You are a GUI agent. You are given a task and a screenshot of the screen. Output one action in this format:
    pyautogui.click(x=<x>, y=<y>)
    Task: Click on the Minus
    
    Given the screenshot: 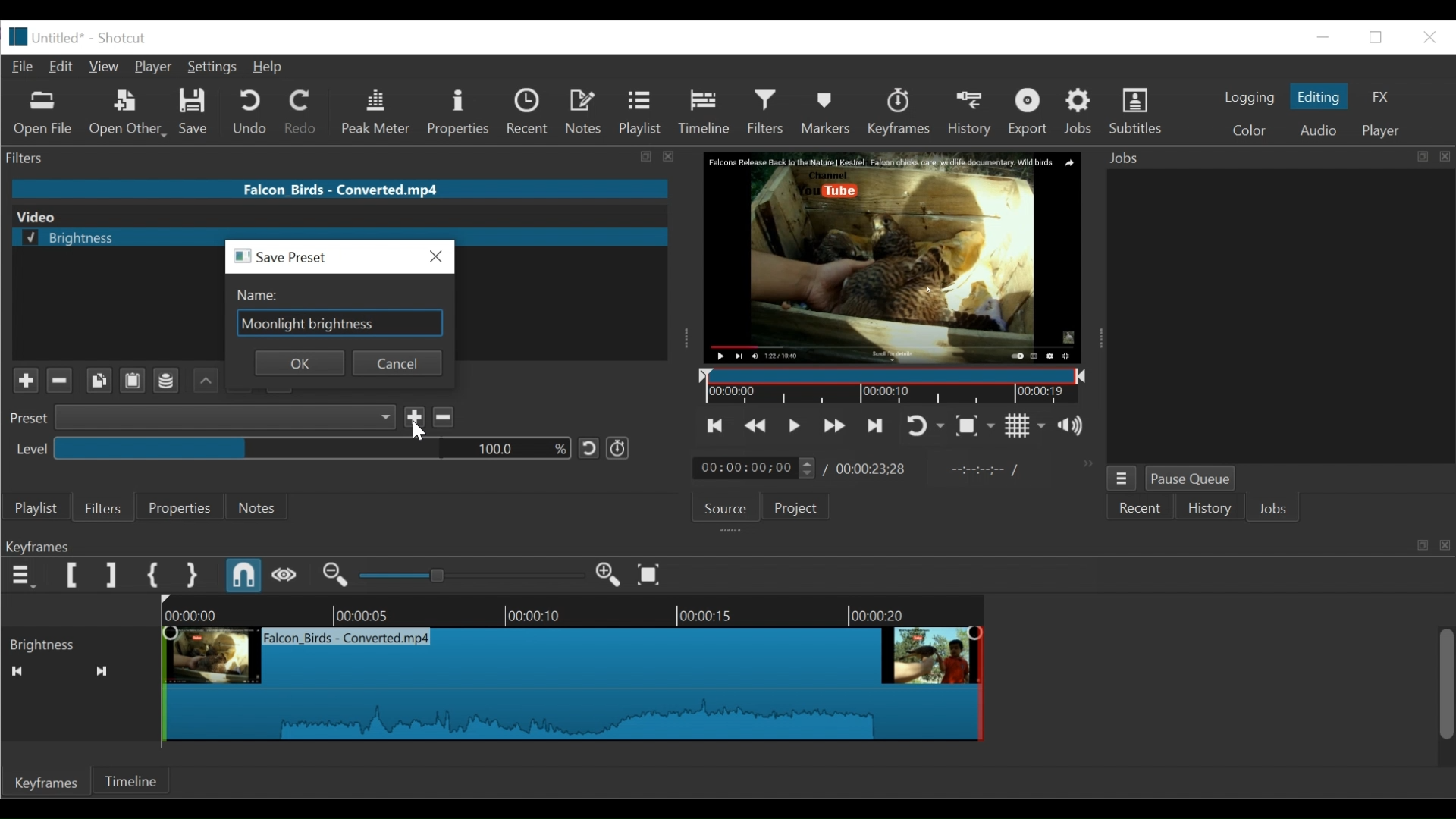 What is the action you would take?
    pyautogui.click(x=60, y=381)
    